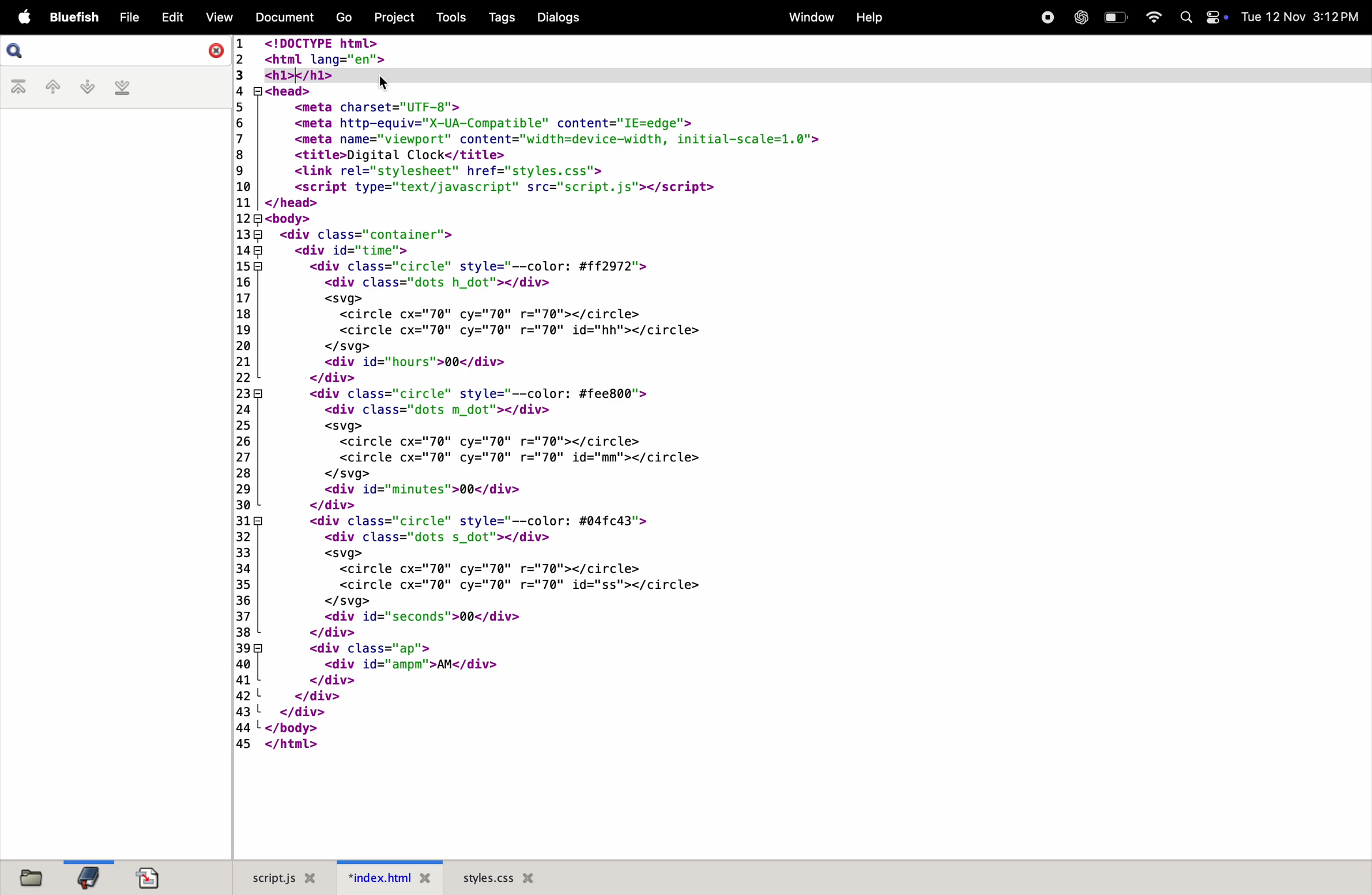 This screenshot has width=1372, height=895. What do you see at coordinates (149, 878) in the screenshot?
I see `document` at bounding box center [149, 878].